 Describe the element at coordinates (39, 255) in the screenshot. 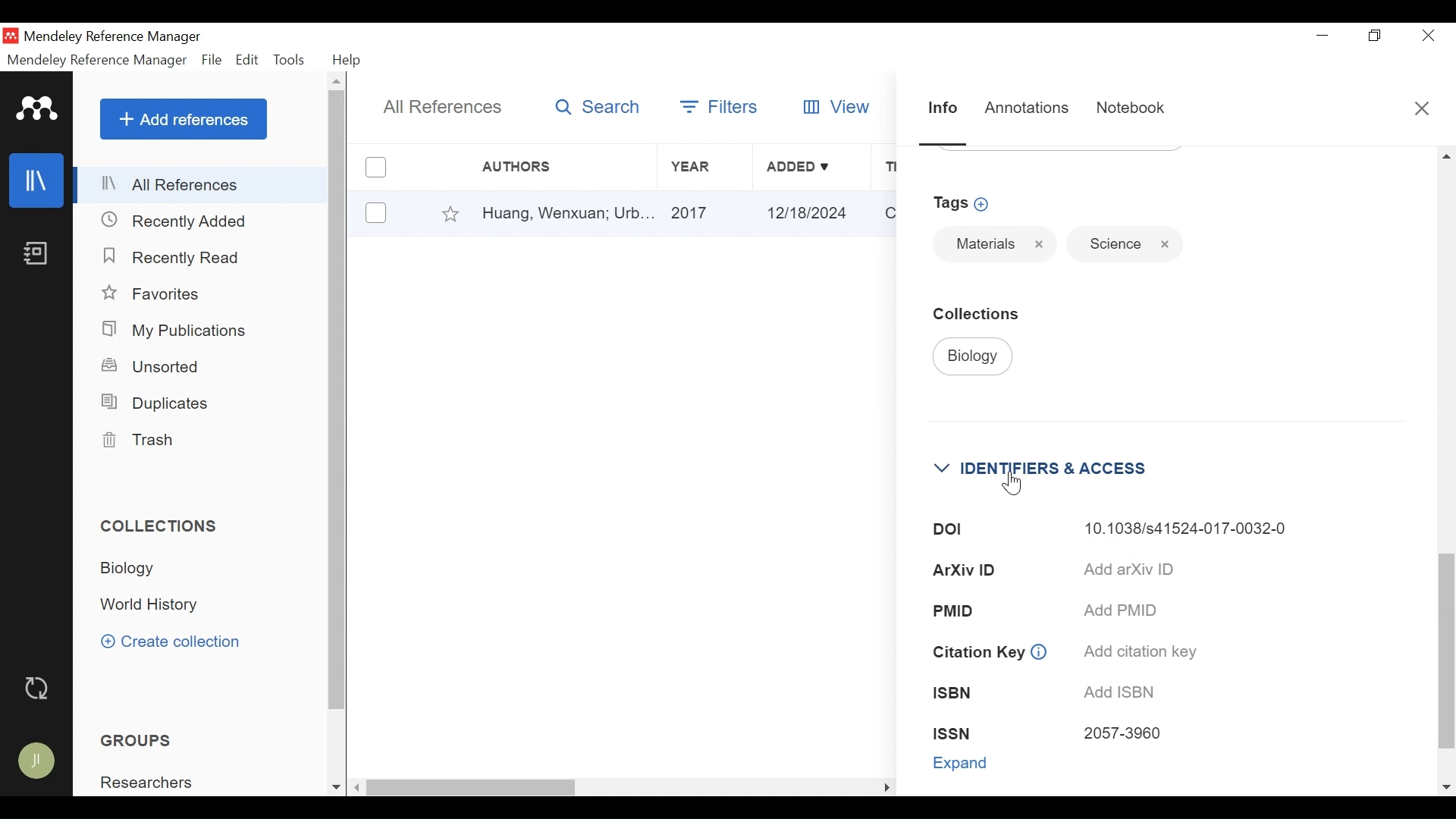

I see `Notebook` at that location.